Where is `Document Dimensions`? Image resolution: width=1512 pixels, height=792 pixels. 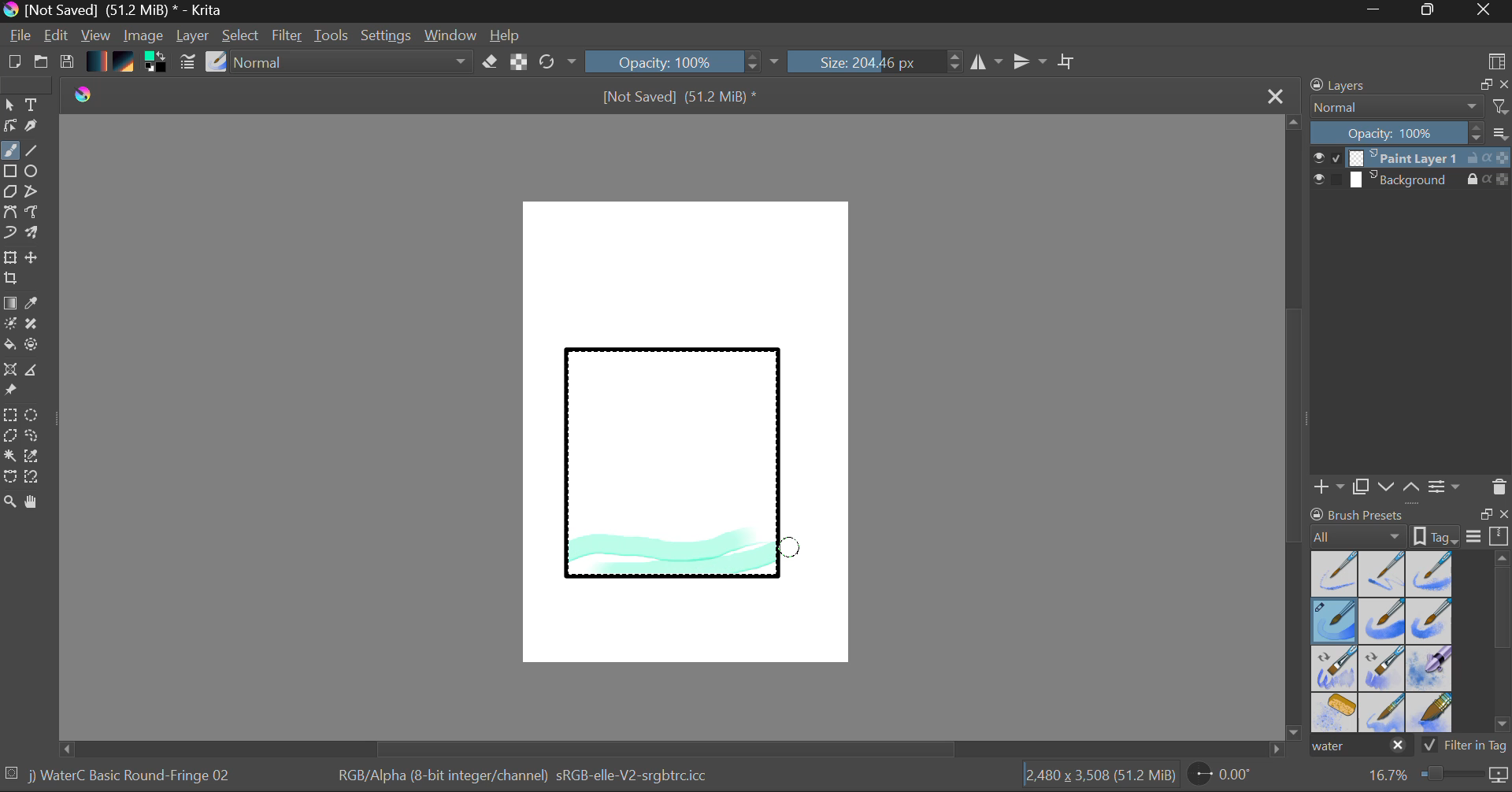
Document Dimensions is located at coordinates (1099, 778).